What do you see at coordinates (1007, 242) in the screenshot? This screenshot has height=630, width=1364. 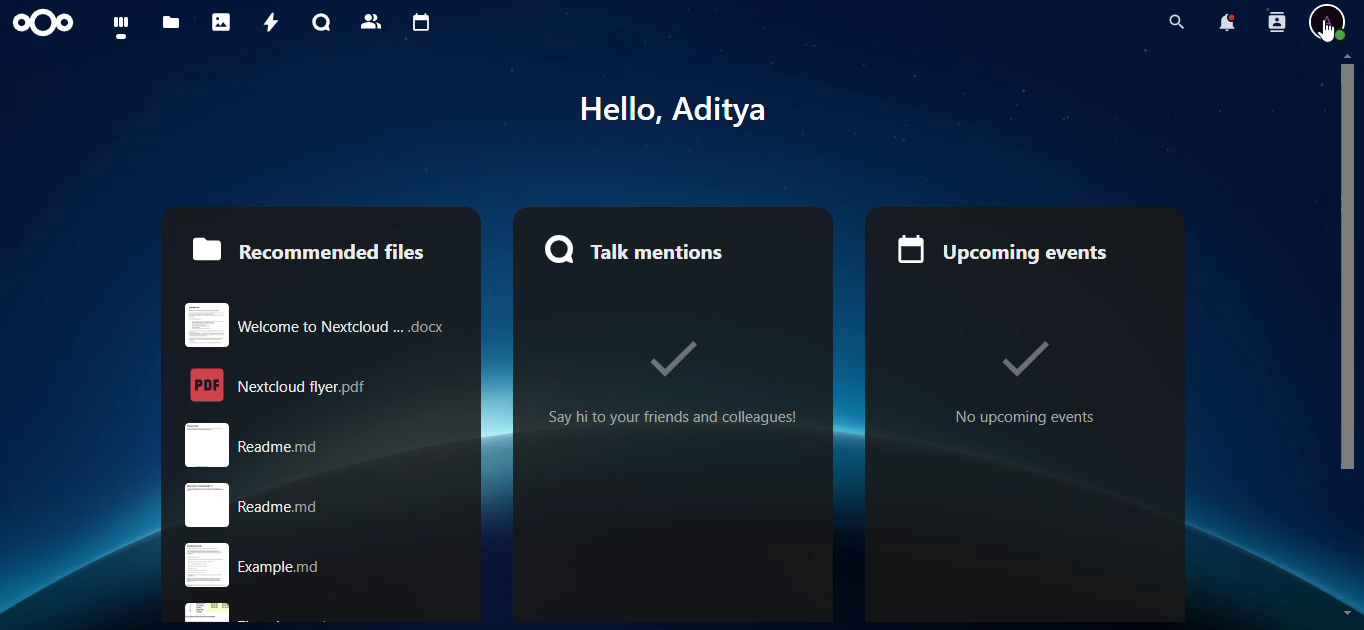 I see `upcoming events` at bounding box center [1007, 242].